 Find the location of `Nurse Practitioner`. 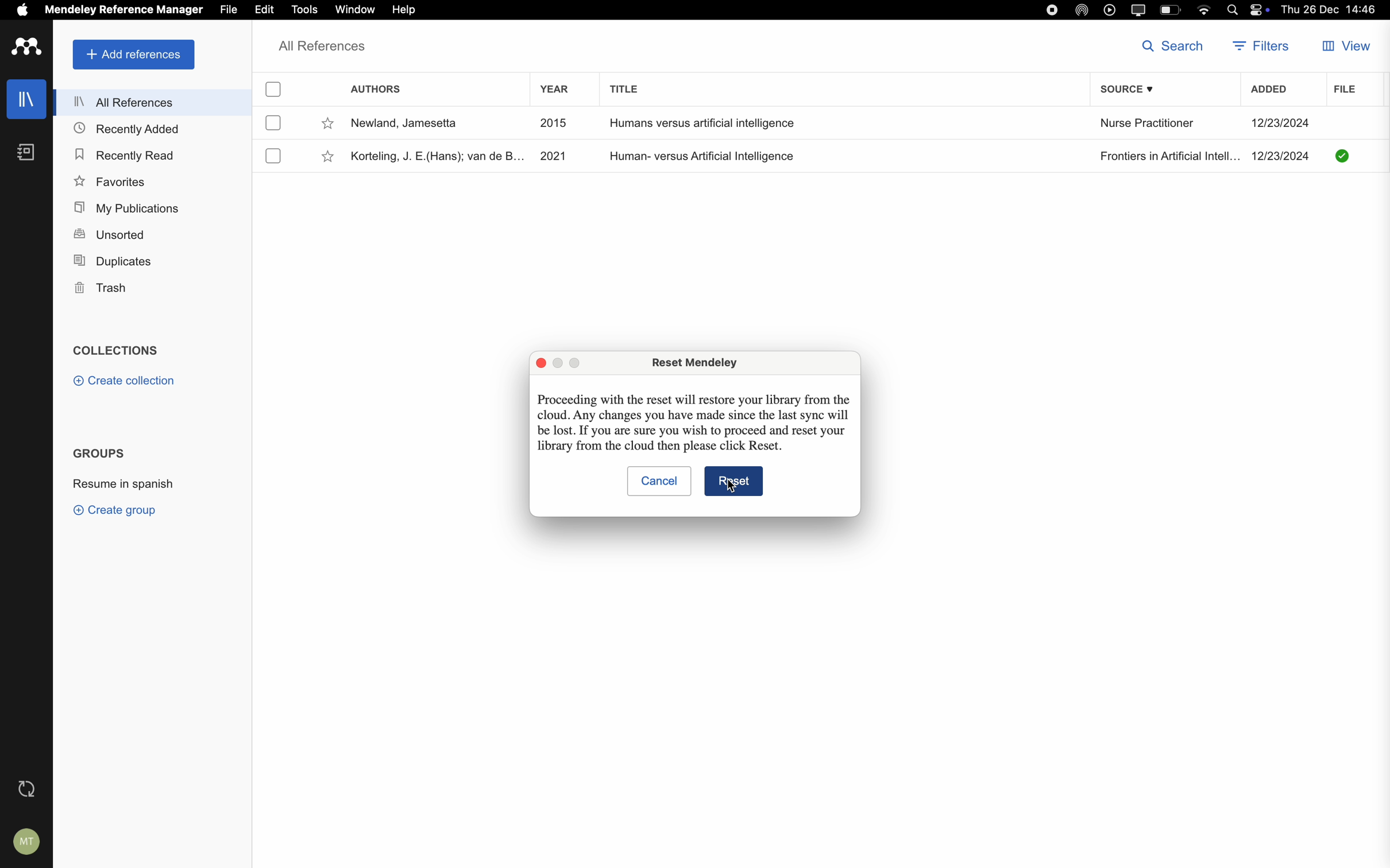

Nurse Practitioner is located at coordinates (1134, 123).